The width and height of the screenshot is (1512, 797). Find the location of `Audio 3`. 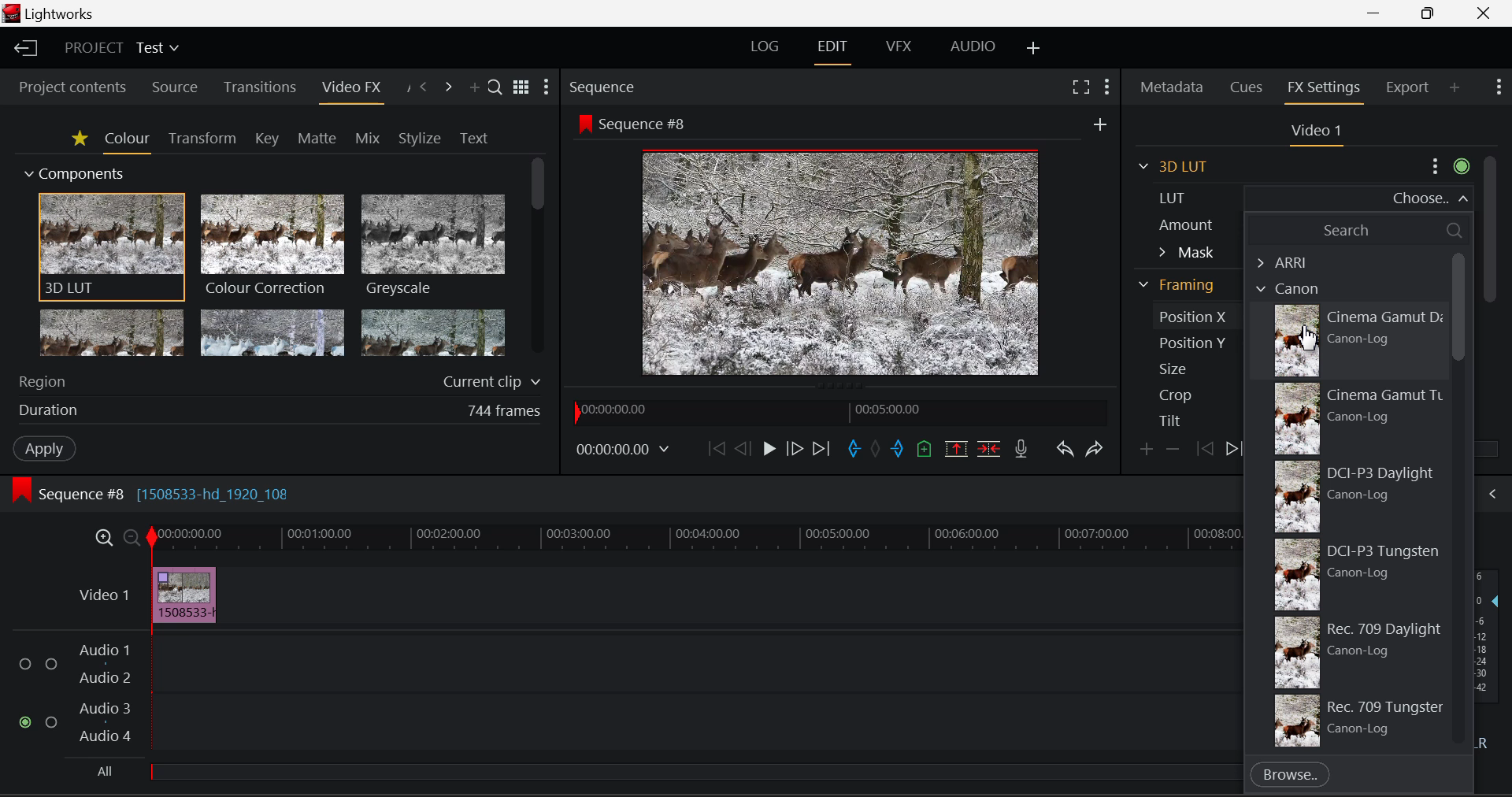

Audio 3 is located at coordinates (107, 708).